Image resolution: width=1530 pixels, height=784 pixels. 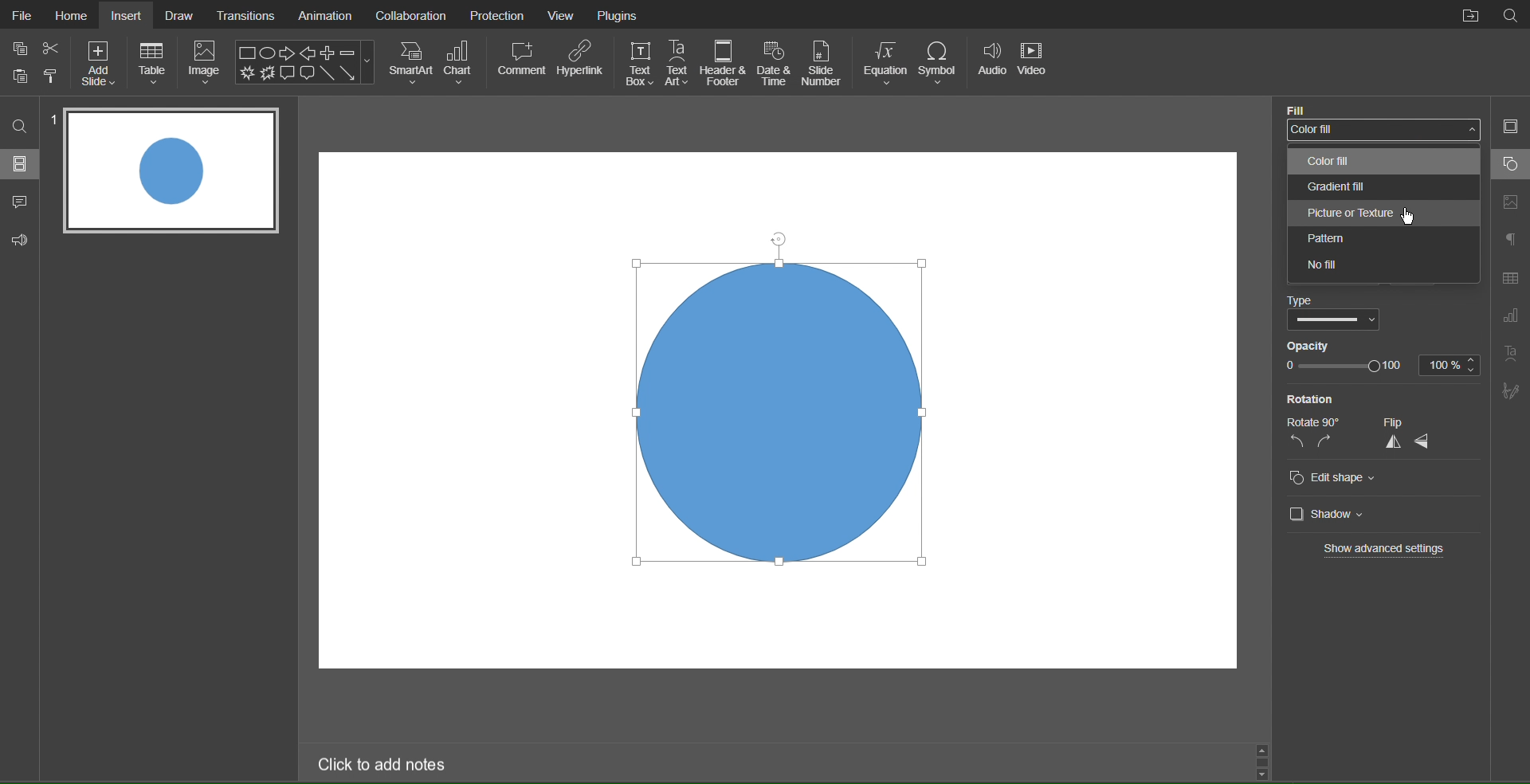 I want to click on Signature, so click(x=1511, y=394).